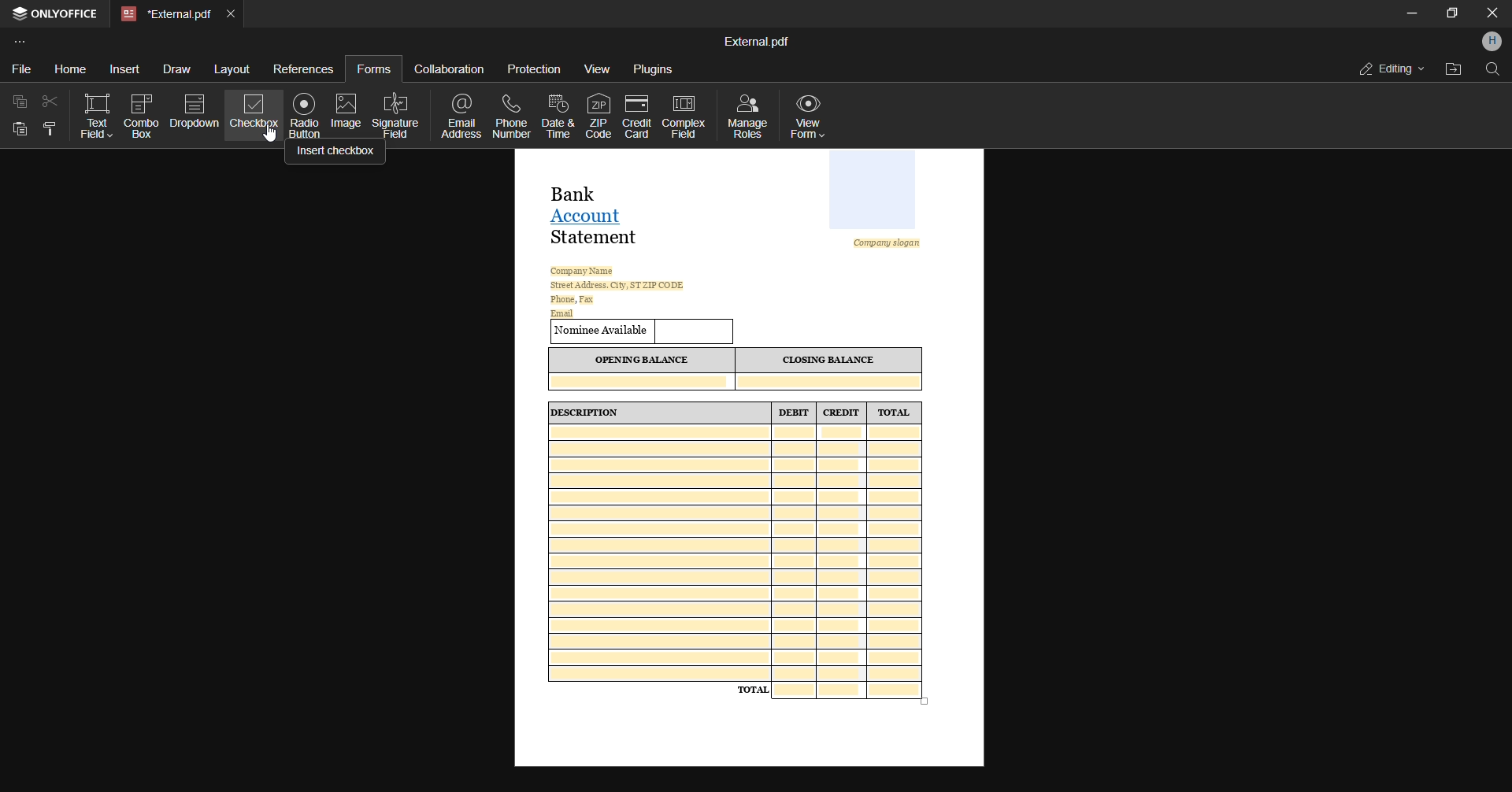 The image size is (1512, 792). What do you see at coordinates (165, 14) in the screenshot?
I see `current open pdf` at bounding box center [165, 14].